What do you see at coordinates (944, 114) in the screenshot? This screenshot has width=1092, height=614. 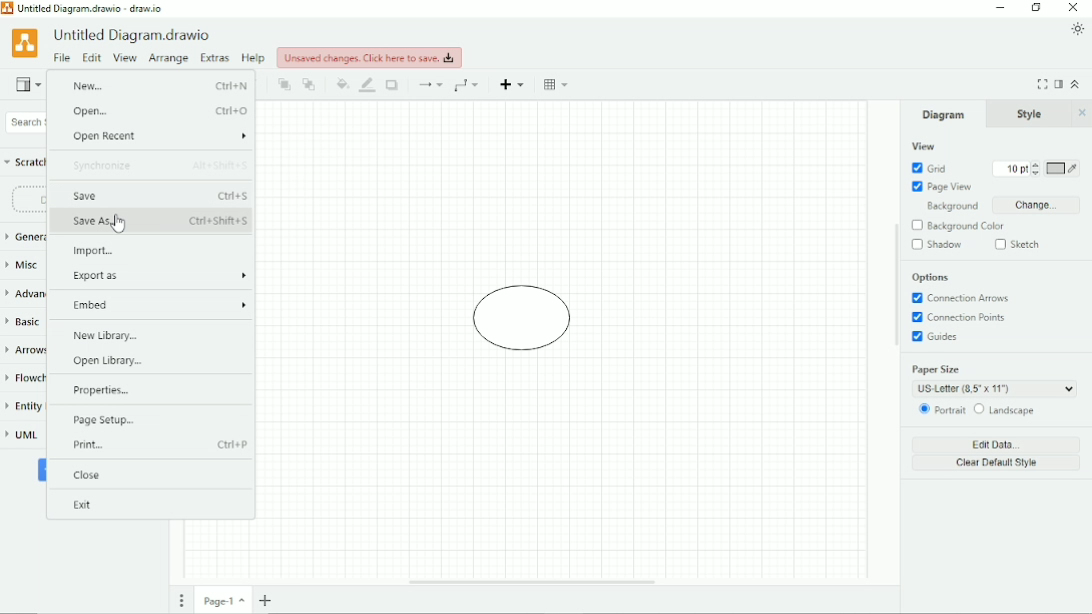 I see `Diagram` at bounding box center [944, 114].